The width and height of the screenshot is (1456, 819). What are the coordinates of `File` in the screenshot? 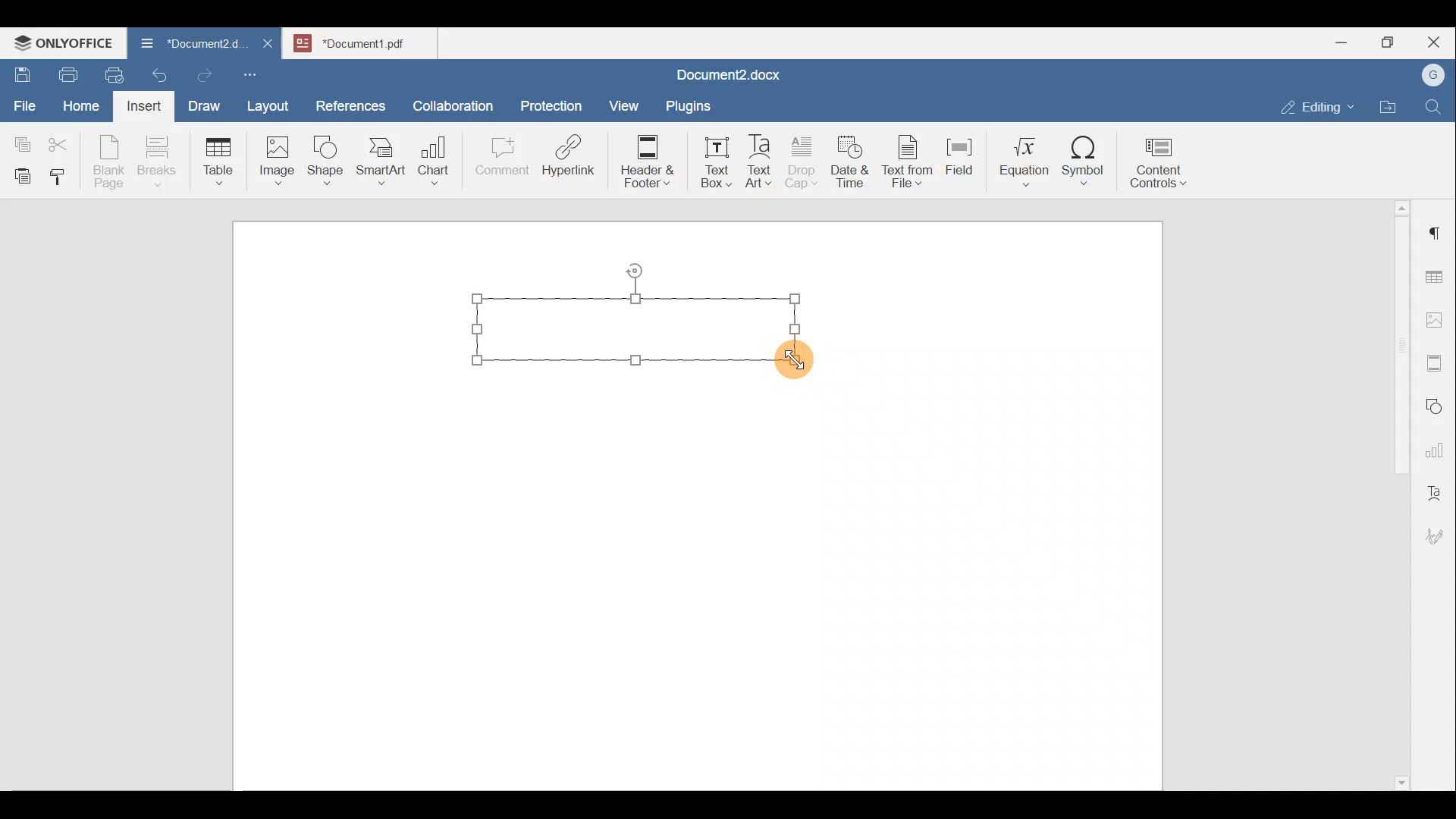 It's located at (26, 101).